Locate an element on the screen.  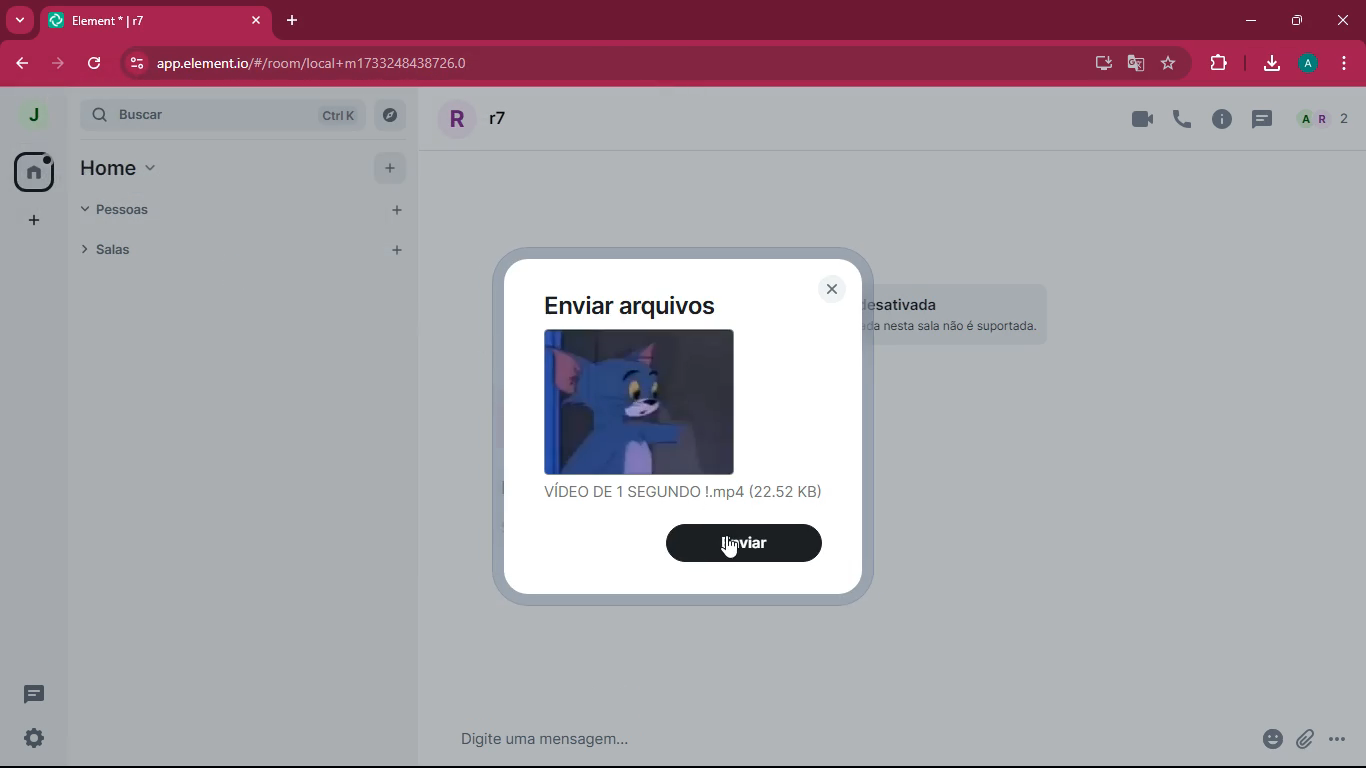
enviar arquivos is located at coordinates (649, 305).